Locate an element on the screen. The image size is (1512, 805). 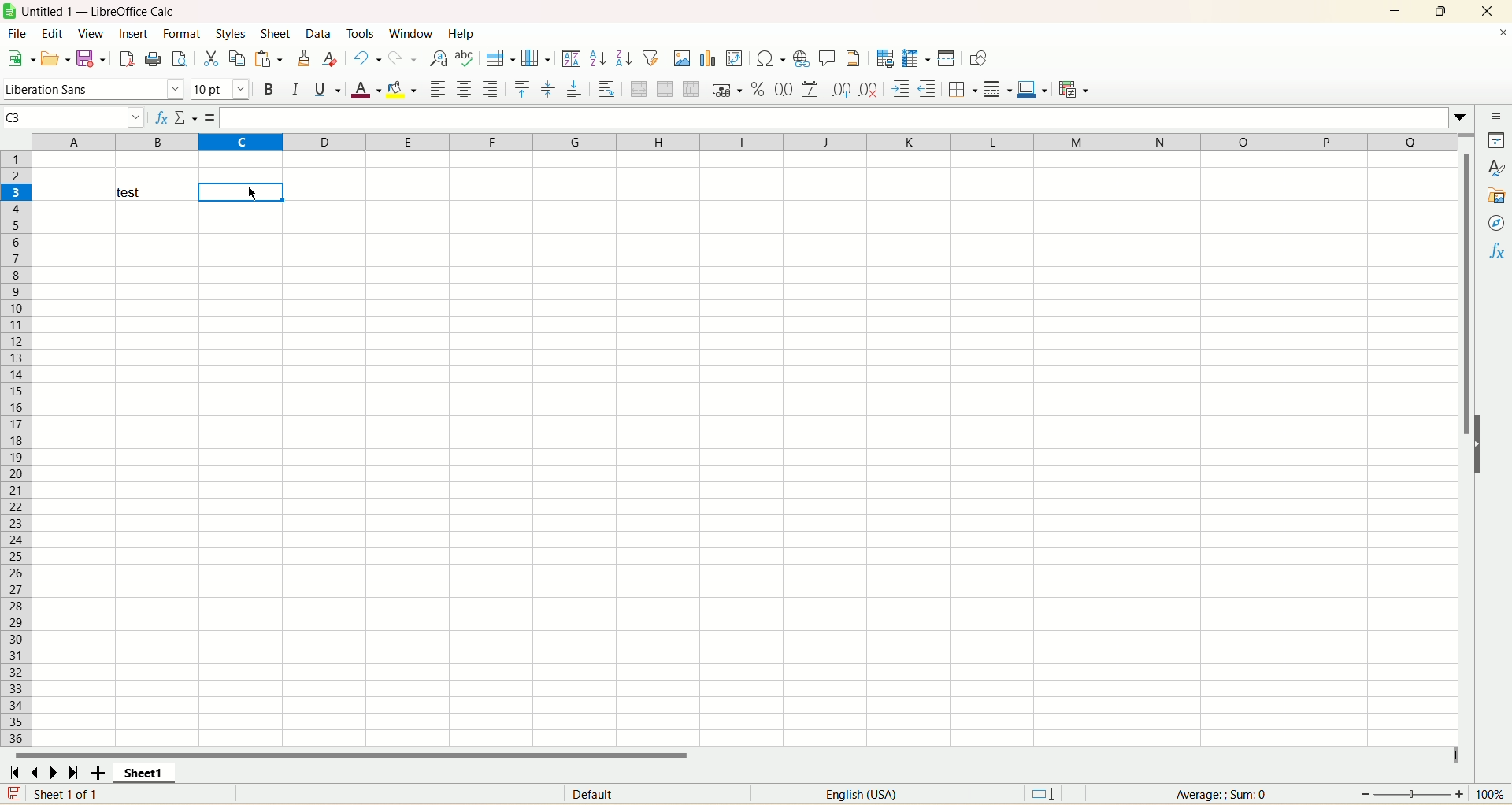
undo is located at coordinates (366, 58).